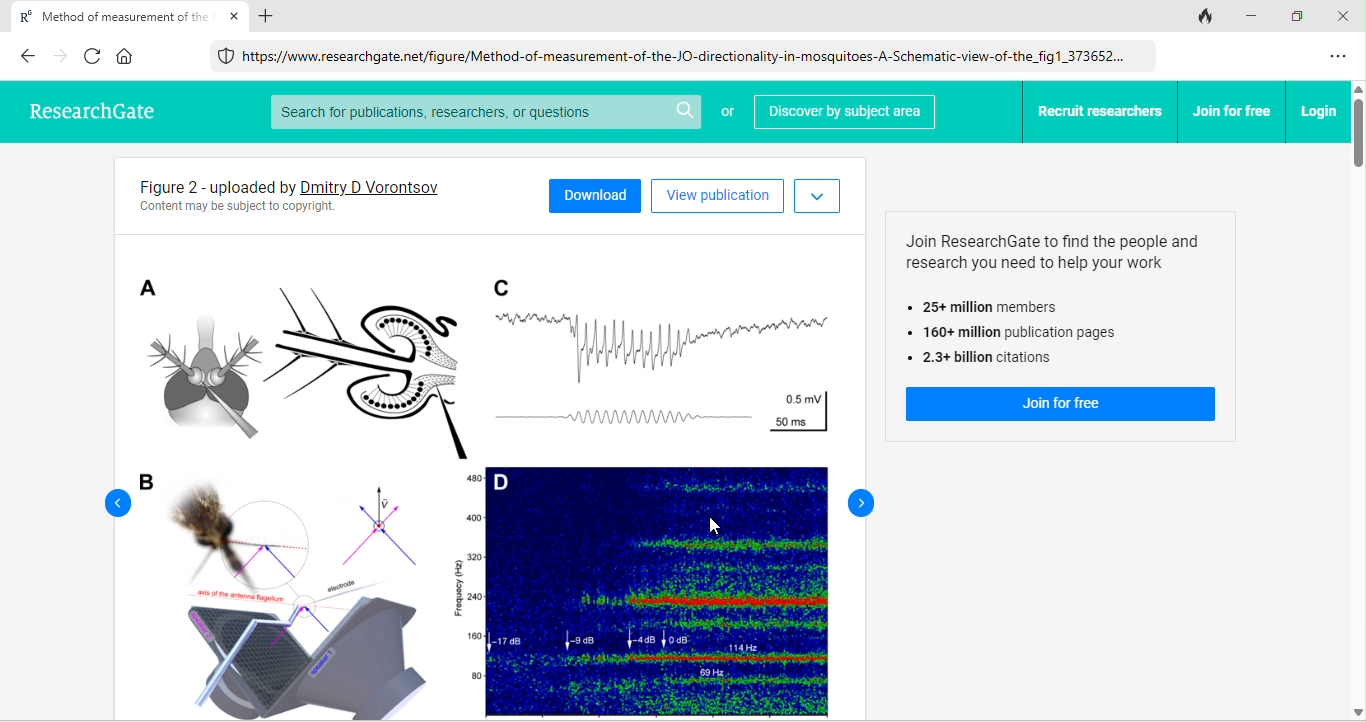 The height and width of the screenshot is (722, 1366). What do you see at coordinates (817, 197) in the screenshot?
I see `dropdown` at bounding box center [817, 197].